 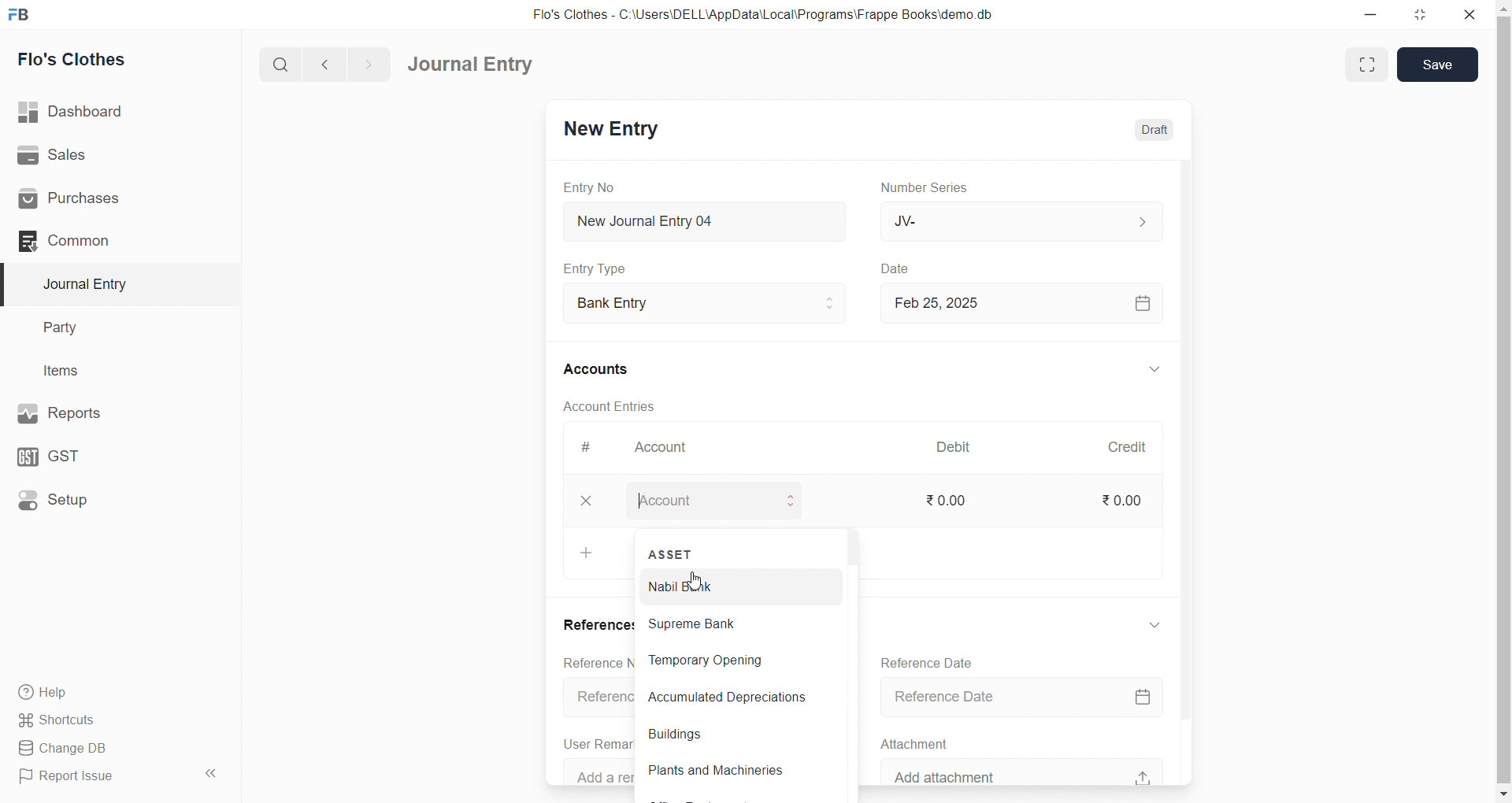 What do you see at coordinates (597, 187) in the screenshot?
I see `Entry No.` at bounding box center [597, 187].